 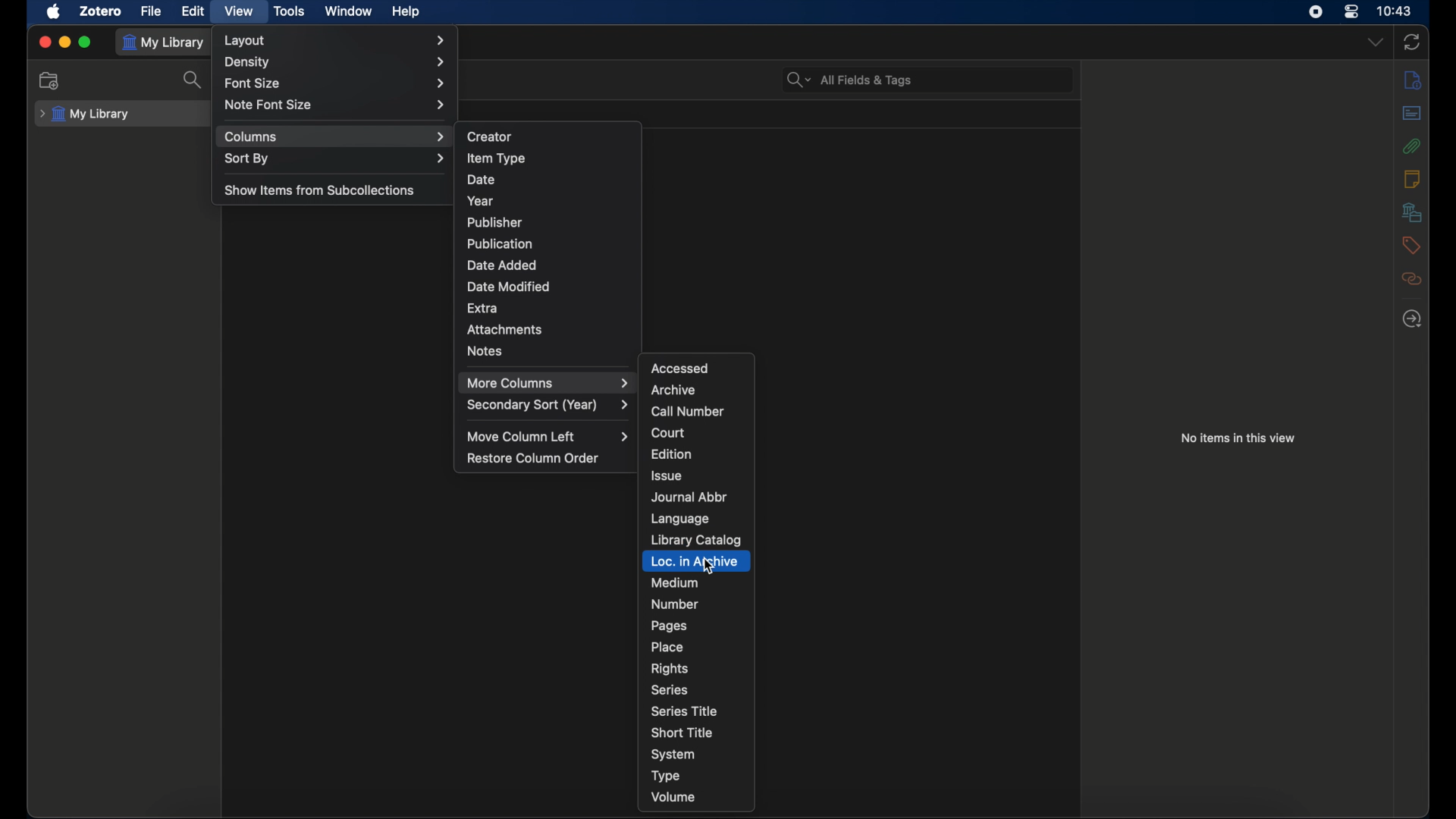 I want to click on font size, so click(x=335, y=84).